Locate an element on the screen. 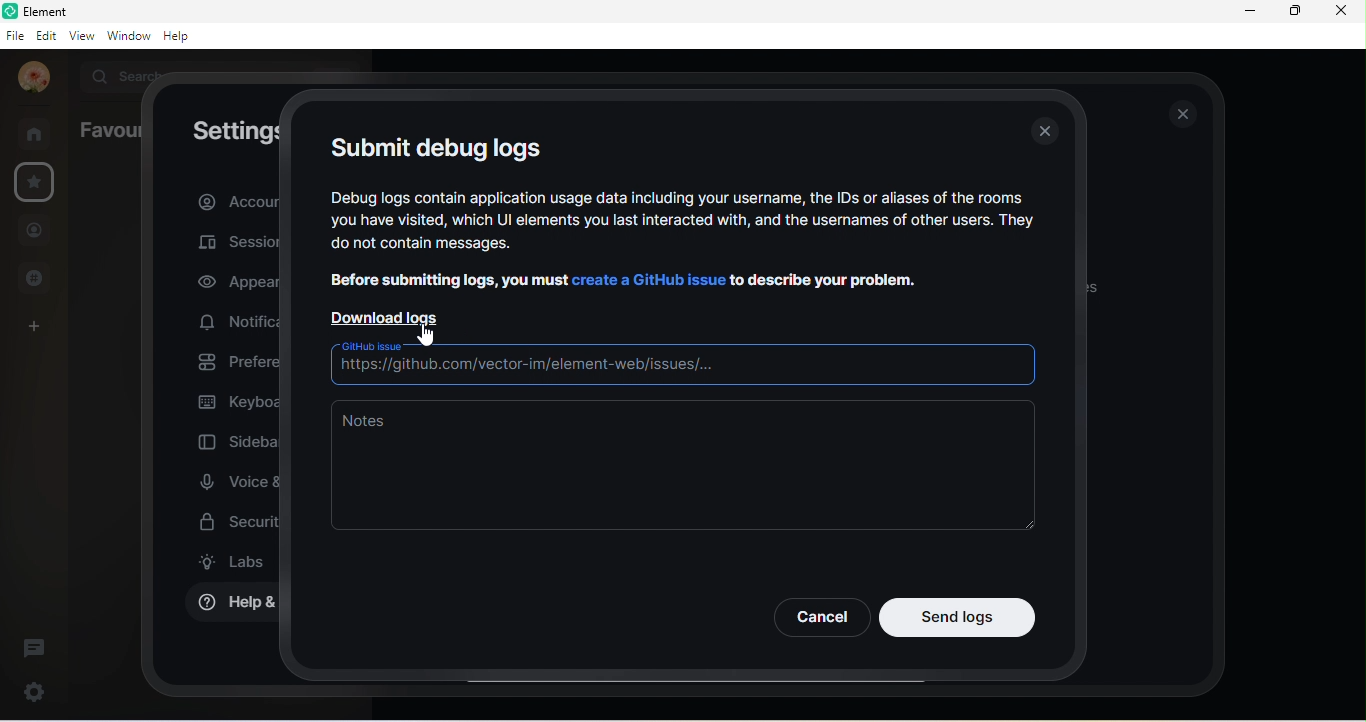 This screenshot has height=722, width=1366. view is located at coordinates (80, 38).